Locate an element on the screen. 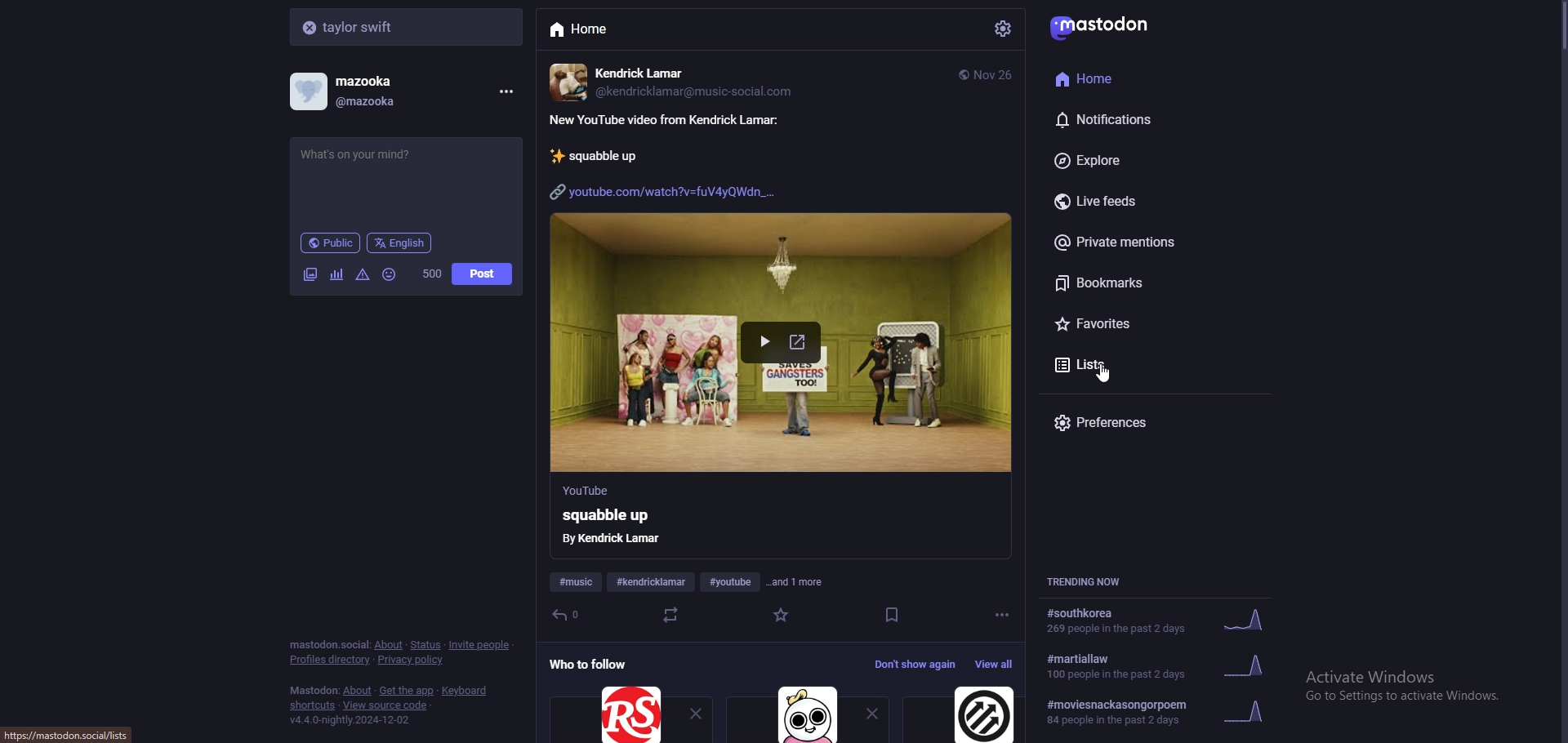 The width and height of the screenshot is (1568, 743). about is located at coordinates (359, 692).